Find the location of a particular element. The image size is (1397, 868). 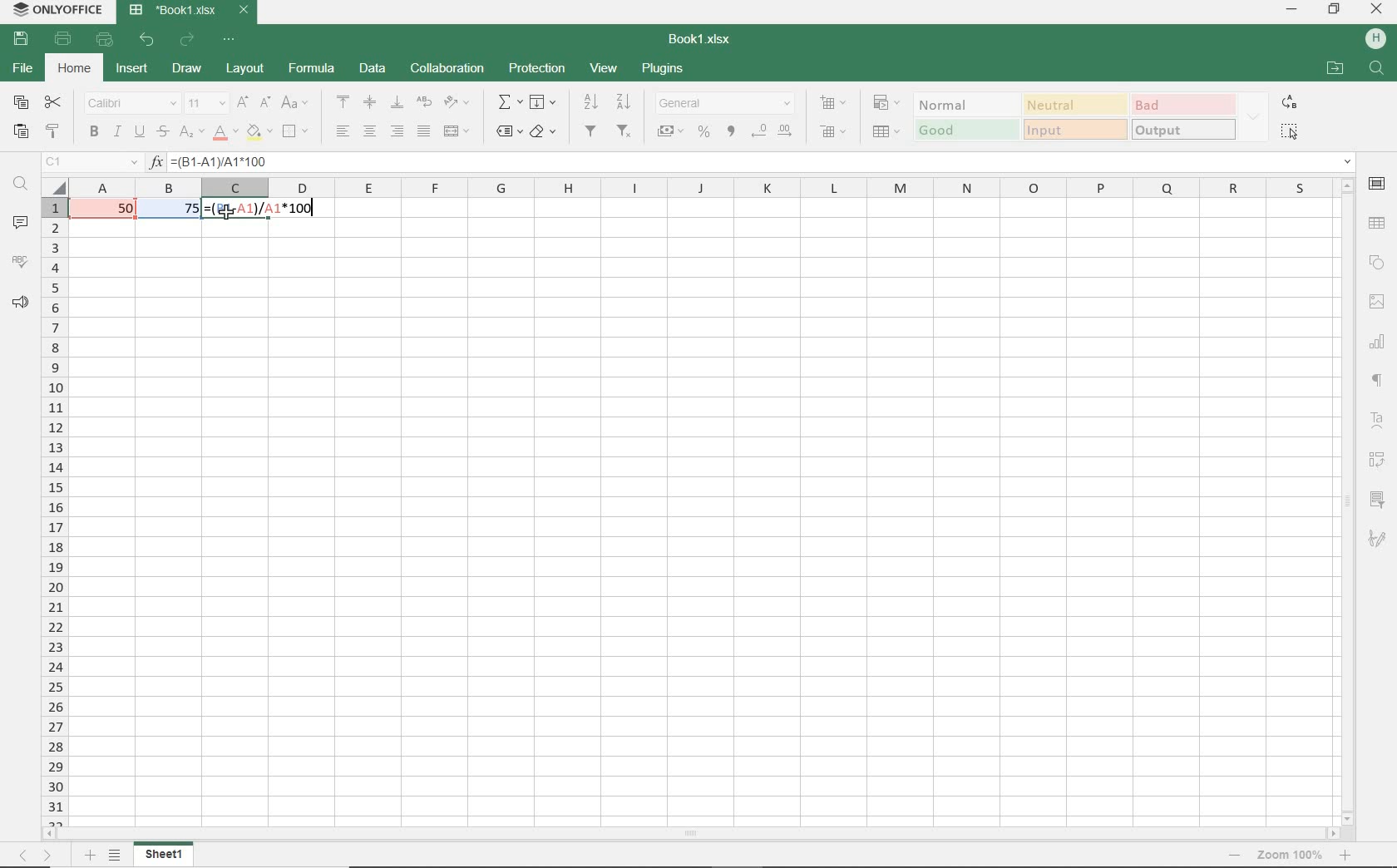

find is located at coordinates (20, 186).